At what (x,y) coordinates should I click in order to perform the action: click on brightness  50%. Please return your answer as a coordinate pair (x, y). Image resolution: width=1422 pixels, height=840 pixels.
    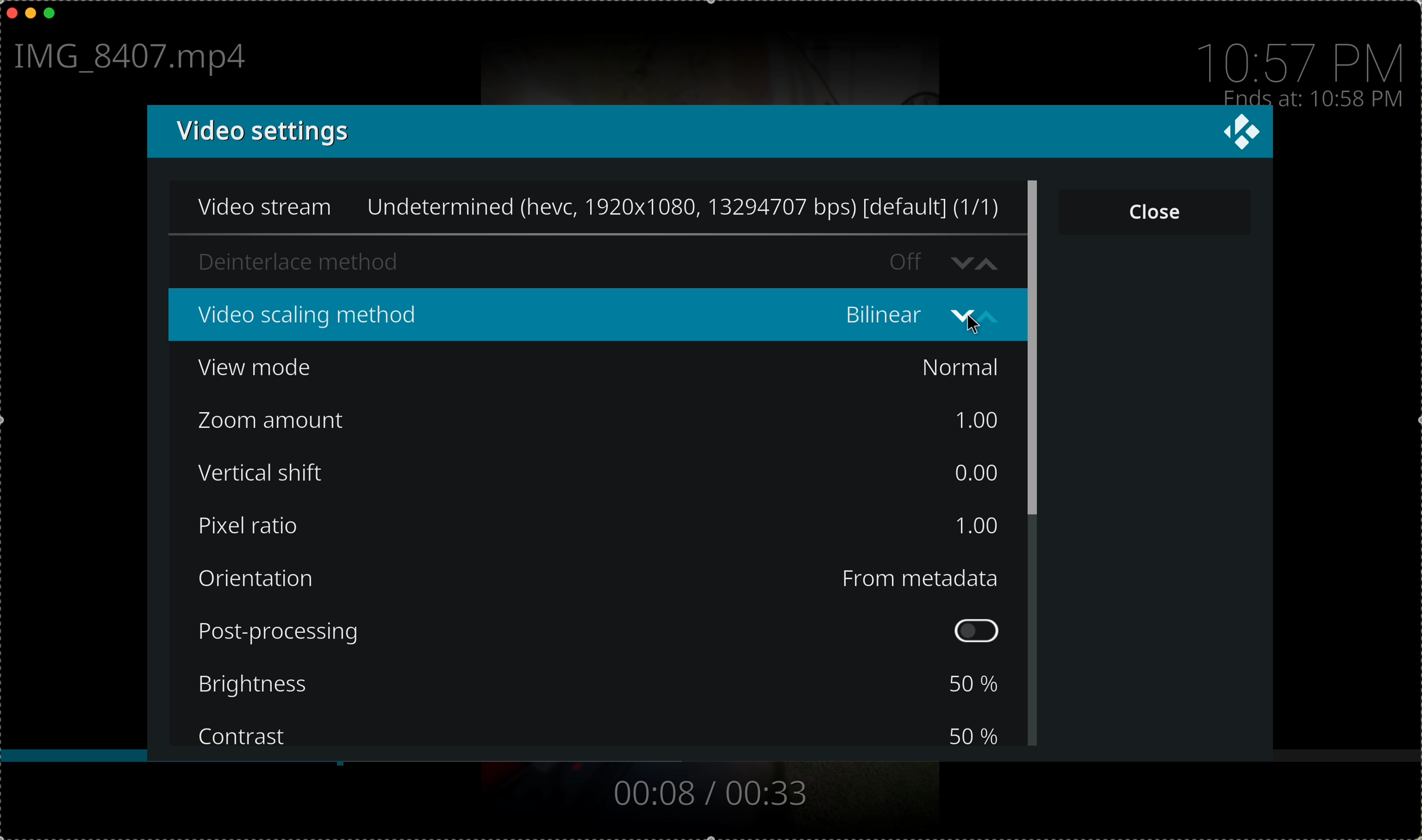
    Looking at the image, I should click on (603, 687).